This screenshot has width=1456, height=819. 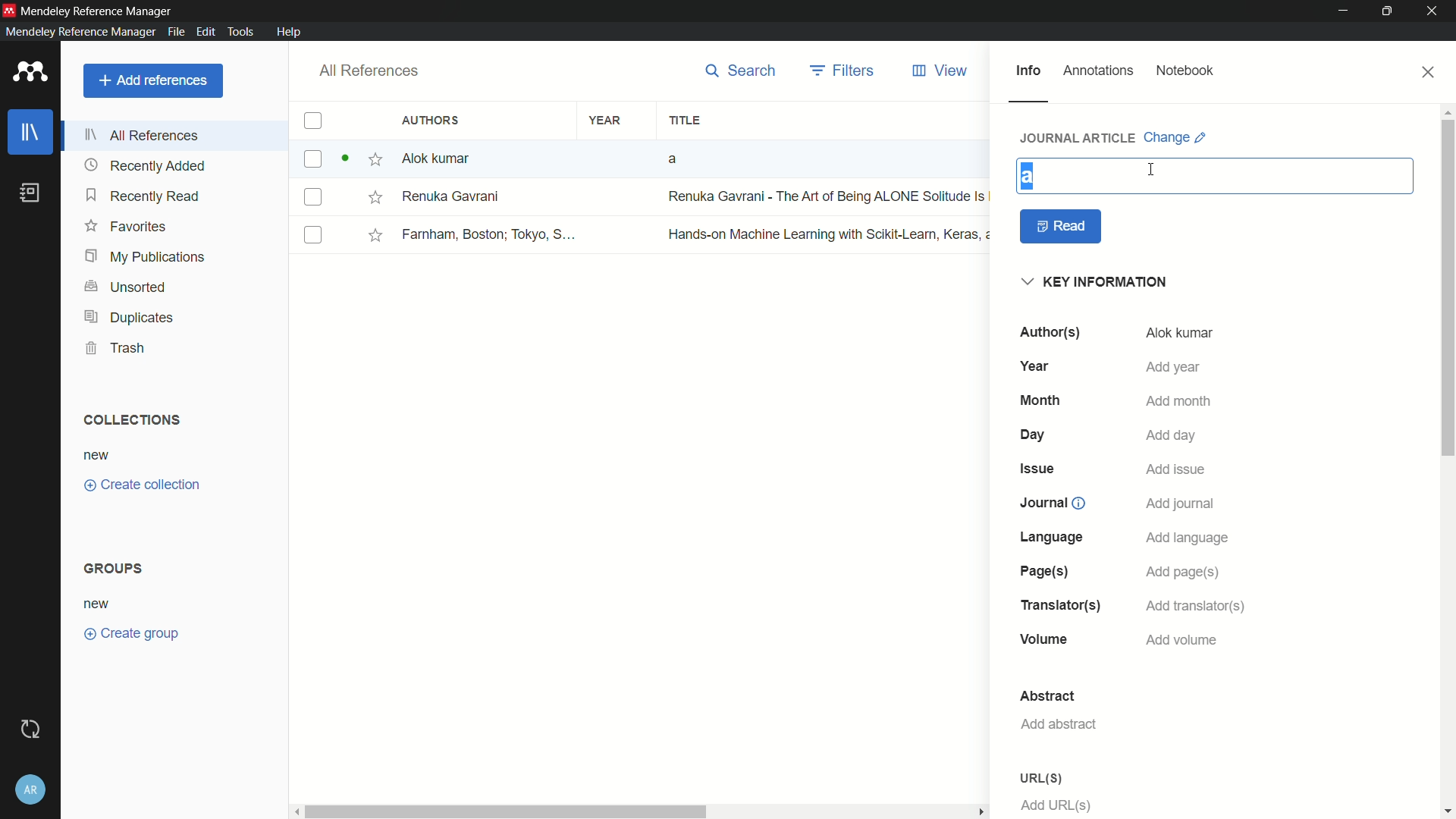 I want to click on create collections, so click(x=142, y=485).